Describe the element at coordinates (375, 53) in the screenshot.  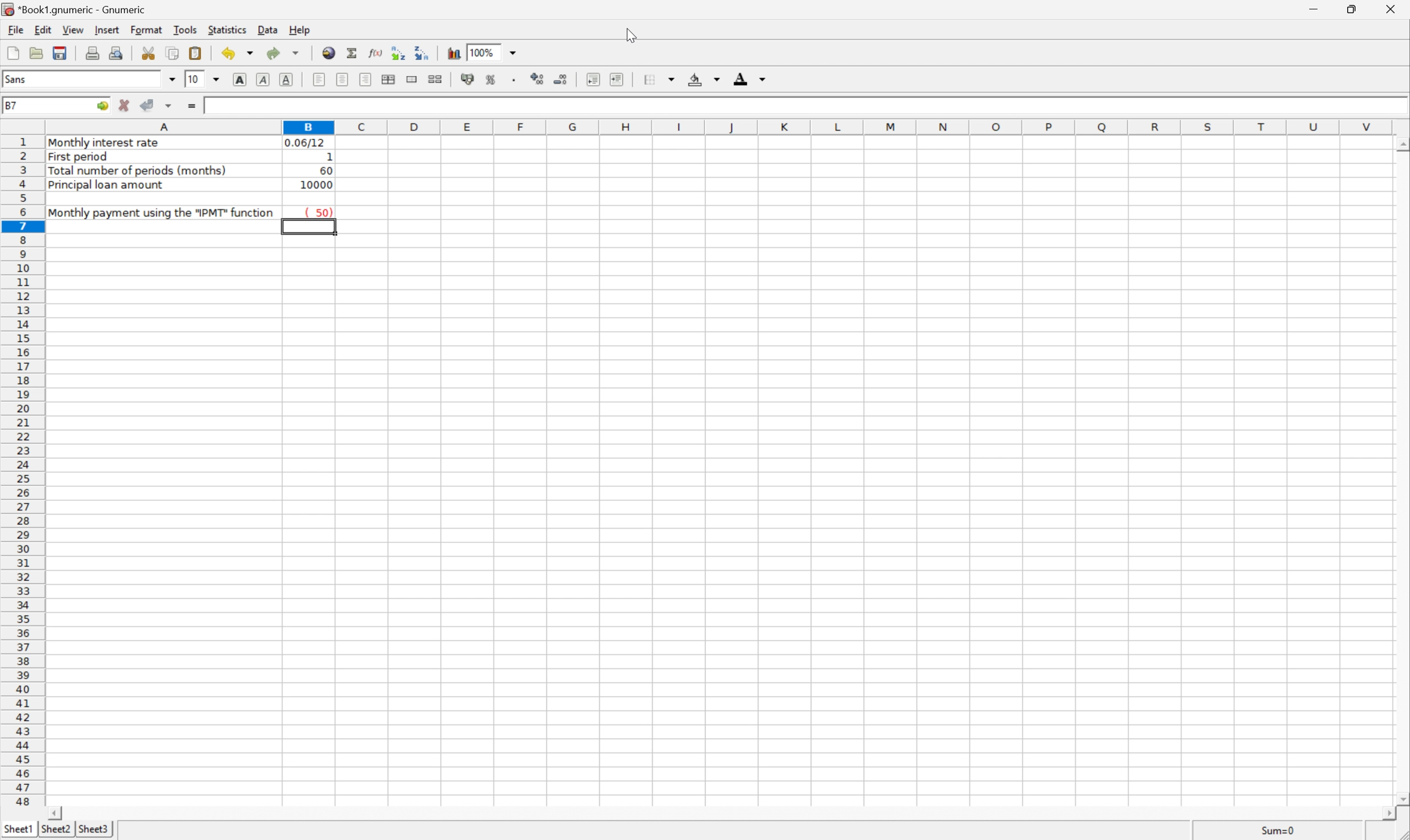
I see `Edit function in current cell` at that location.